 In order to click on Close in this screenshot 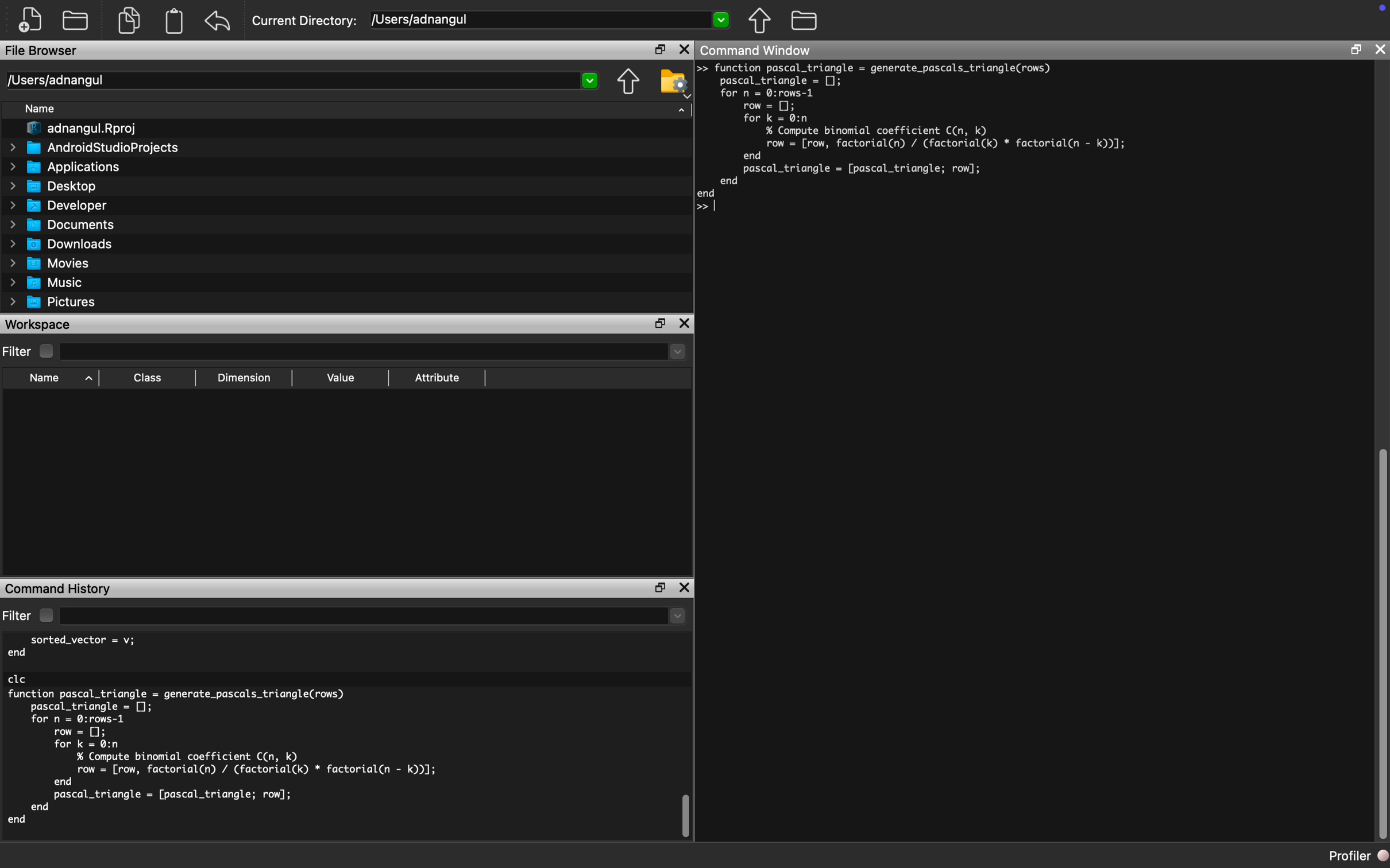, I will do `click(685, 324)`.